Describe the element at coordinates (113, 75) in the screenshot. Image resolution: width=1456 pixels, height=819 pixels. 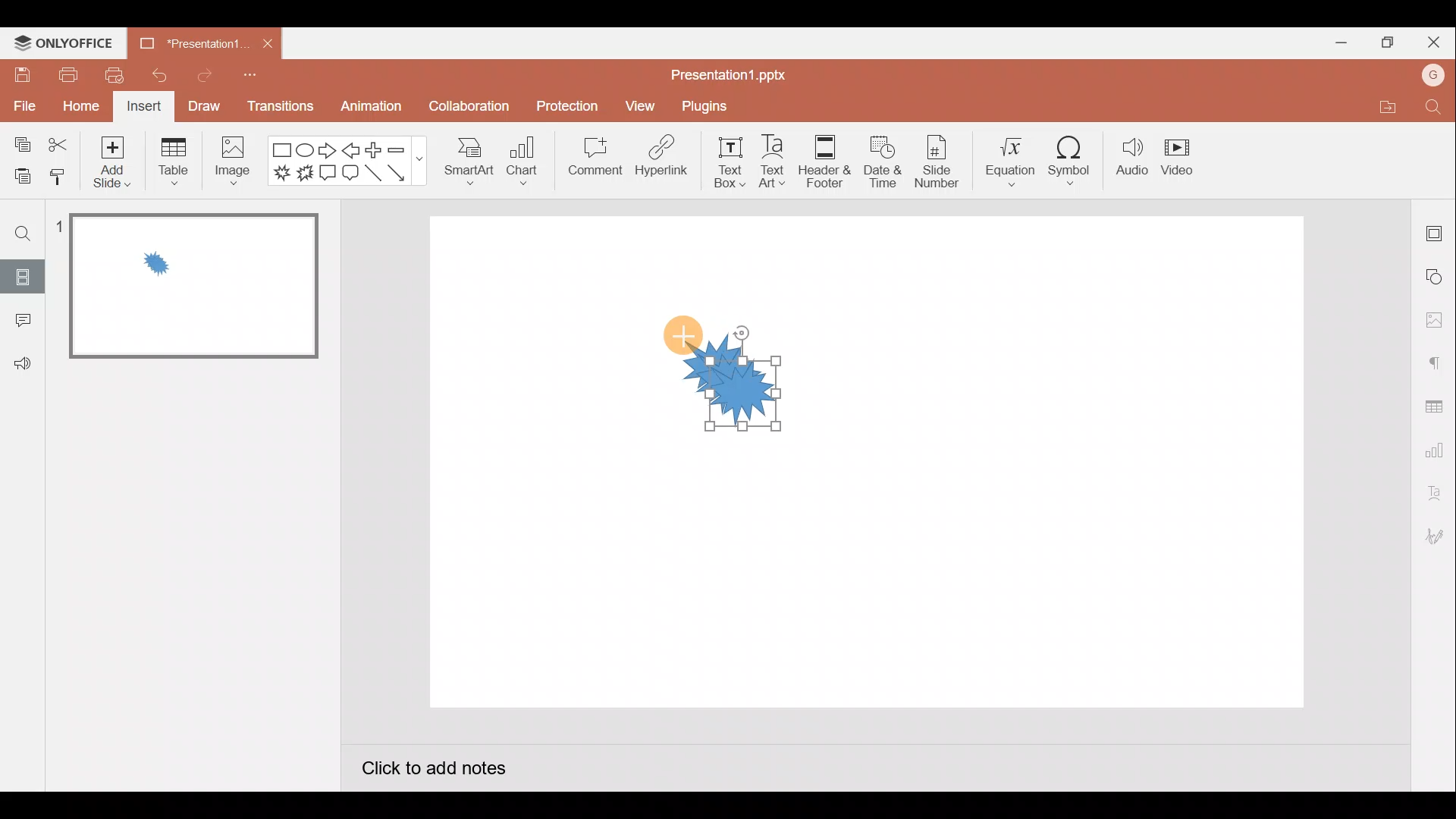
I see `Quick print` at that location.